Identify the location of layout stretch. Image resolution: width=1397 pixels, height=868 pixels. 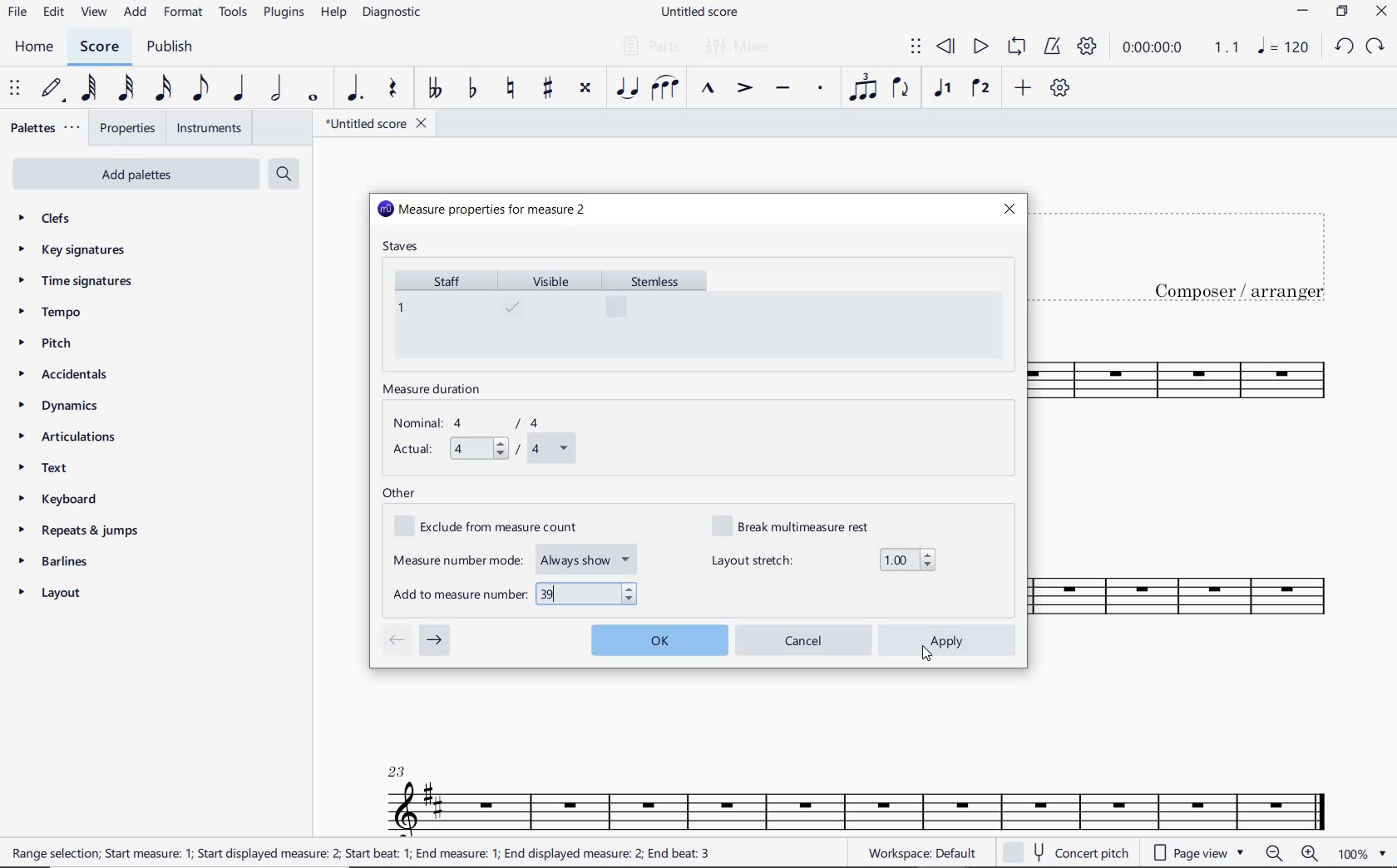
(823, 560).